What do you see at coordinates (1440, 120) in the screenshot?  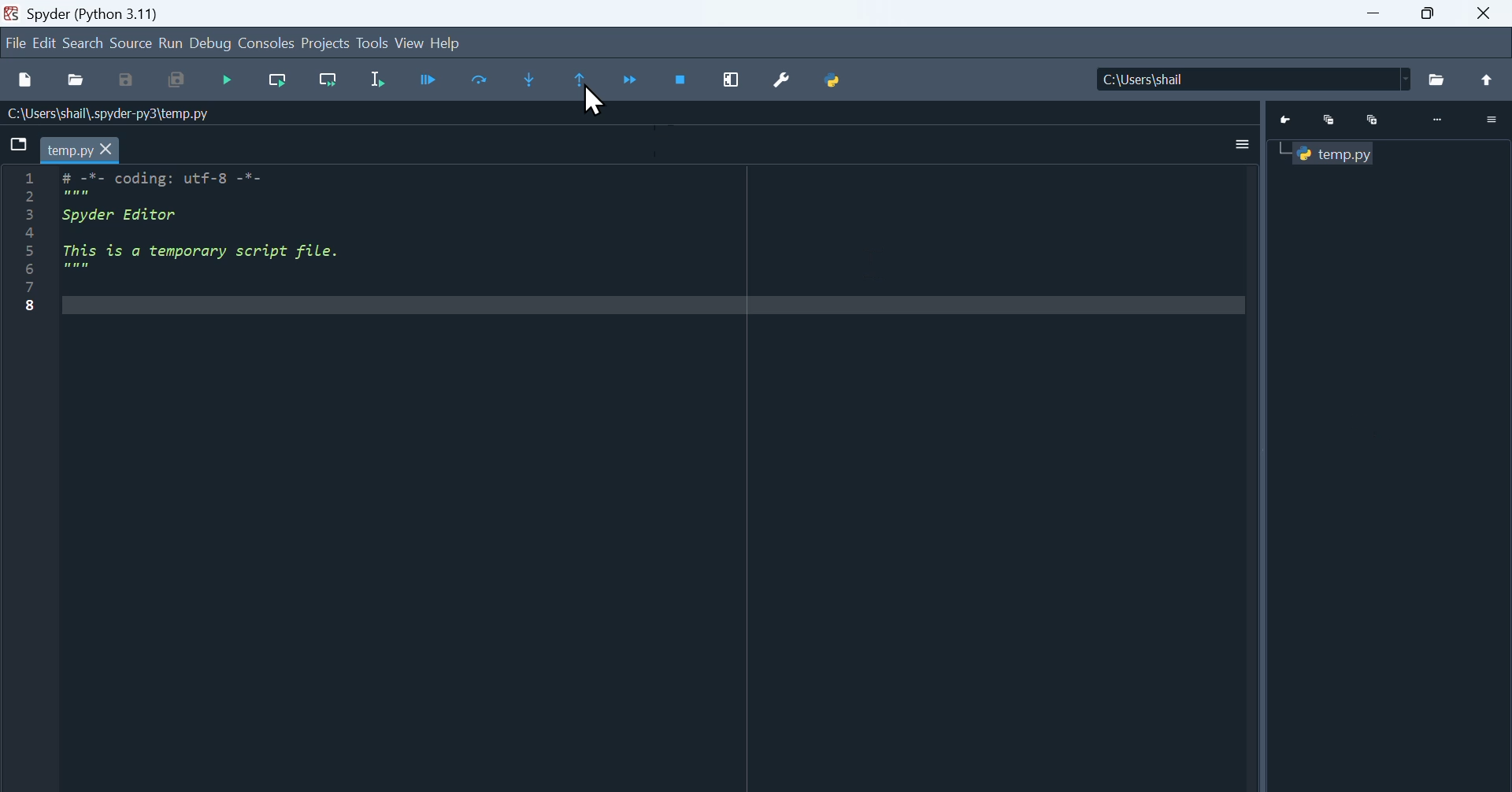 I see `More` at bounding box center [1440, 120].